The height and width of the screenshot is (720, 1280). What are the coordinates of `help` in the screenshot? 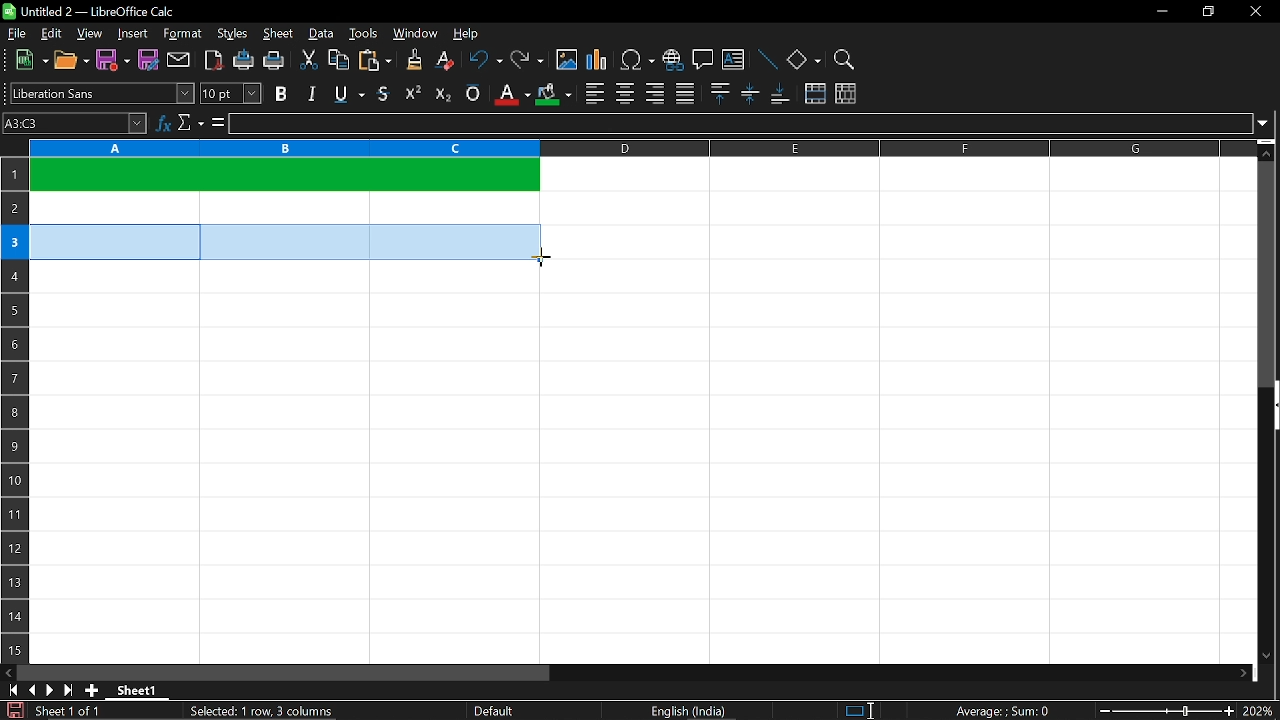 It's located at (474, 32).